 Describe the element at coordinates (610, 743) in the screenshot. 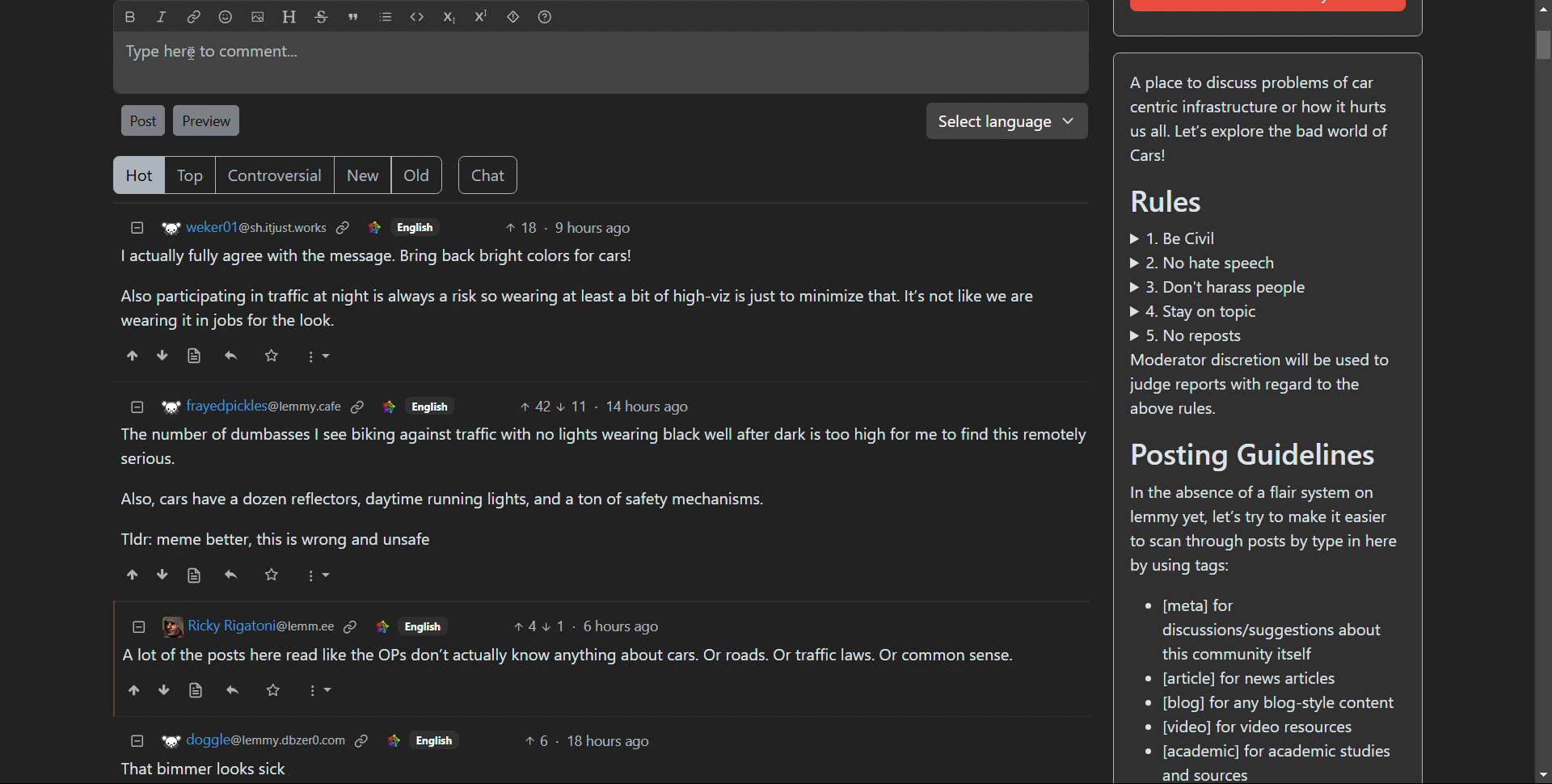

I see `18 hours ago` at that location.